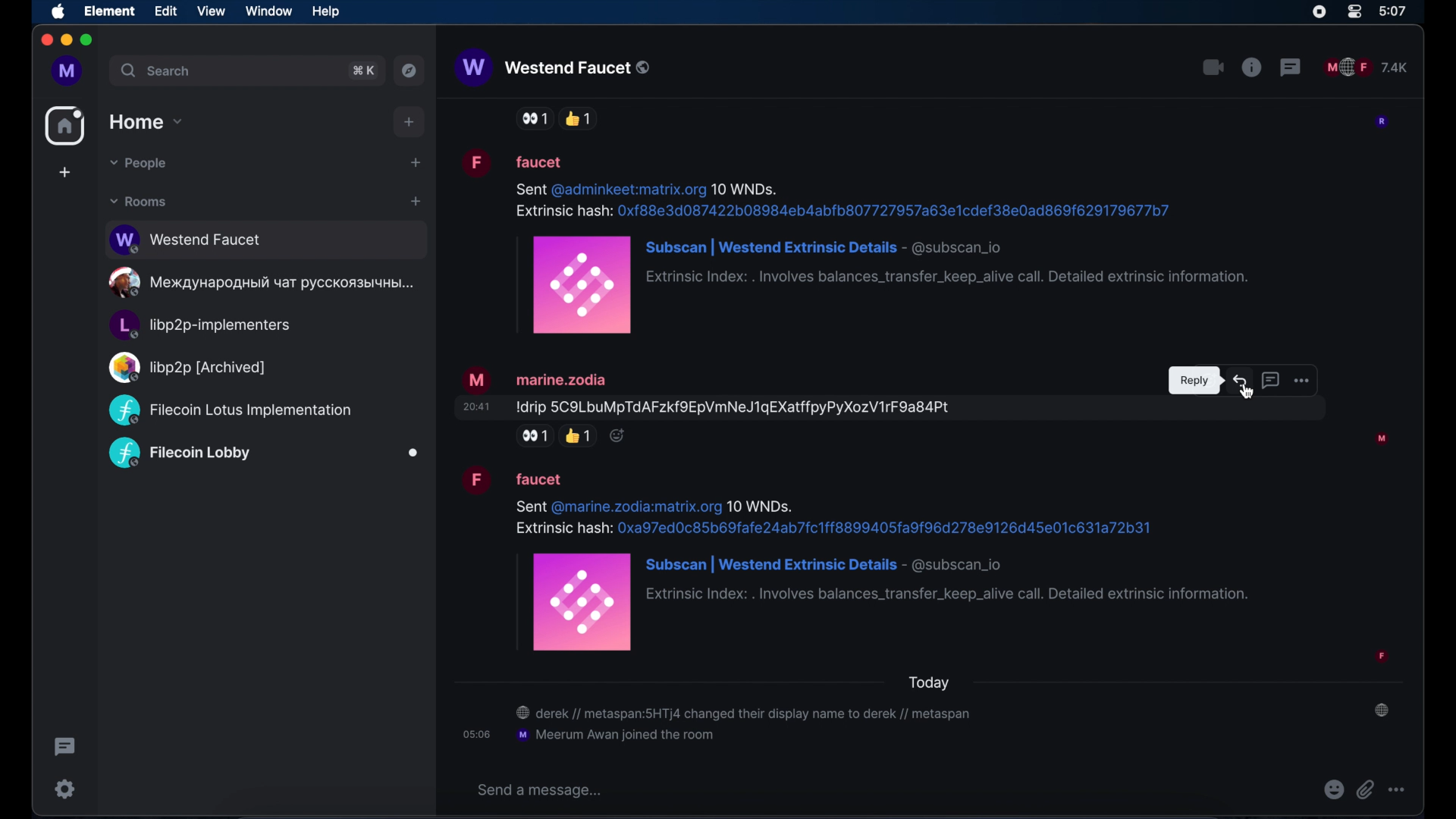  What do you see at coordinates (66, 40) in the screenshot?
I see `minimize` at bounding box center [66, 40].